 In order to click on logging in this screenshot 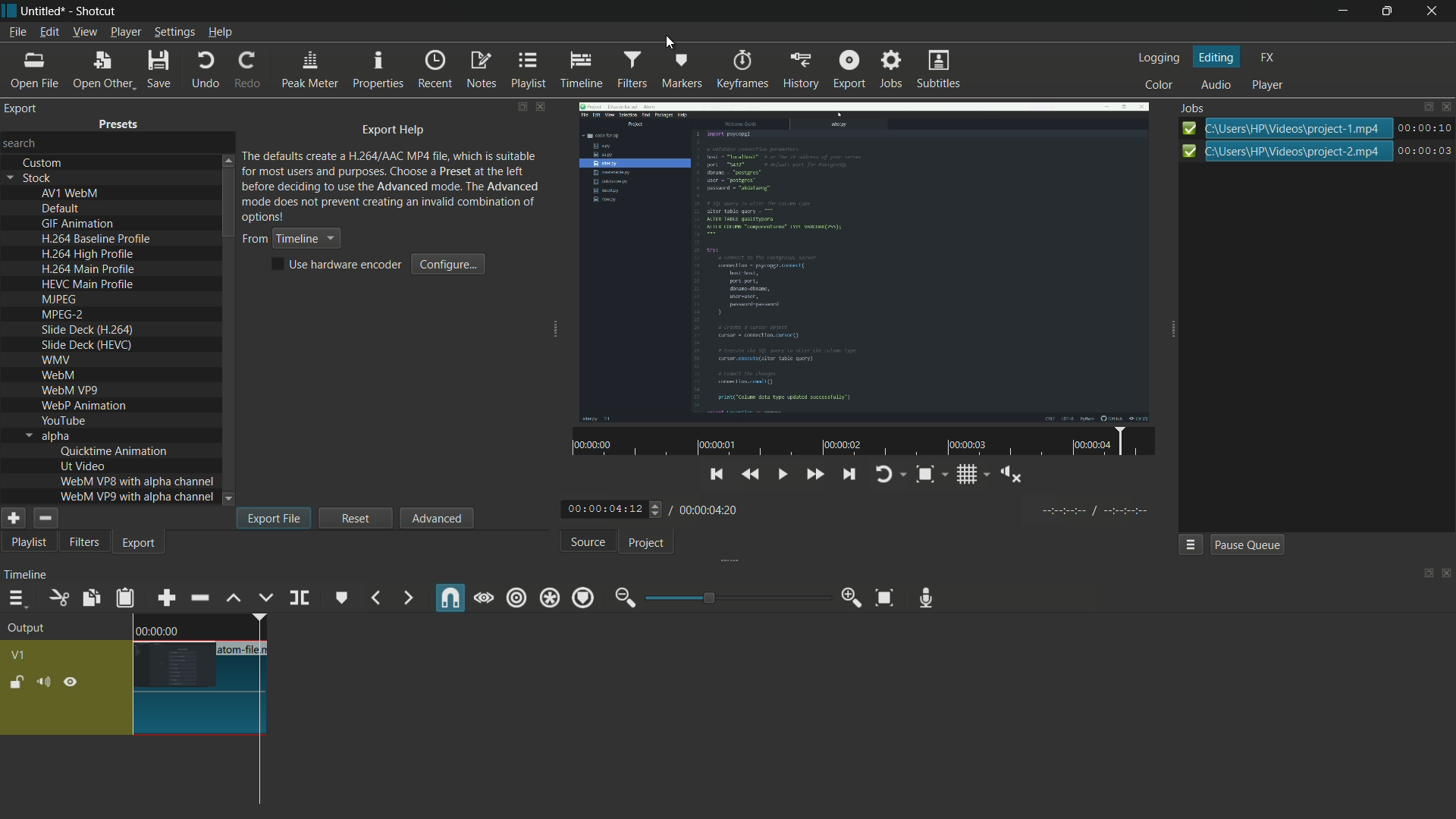, I will do `click(1158, 58)`.